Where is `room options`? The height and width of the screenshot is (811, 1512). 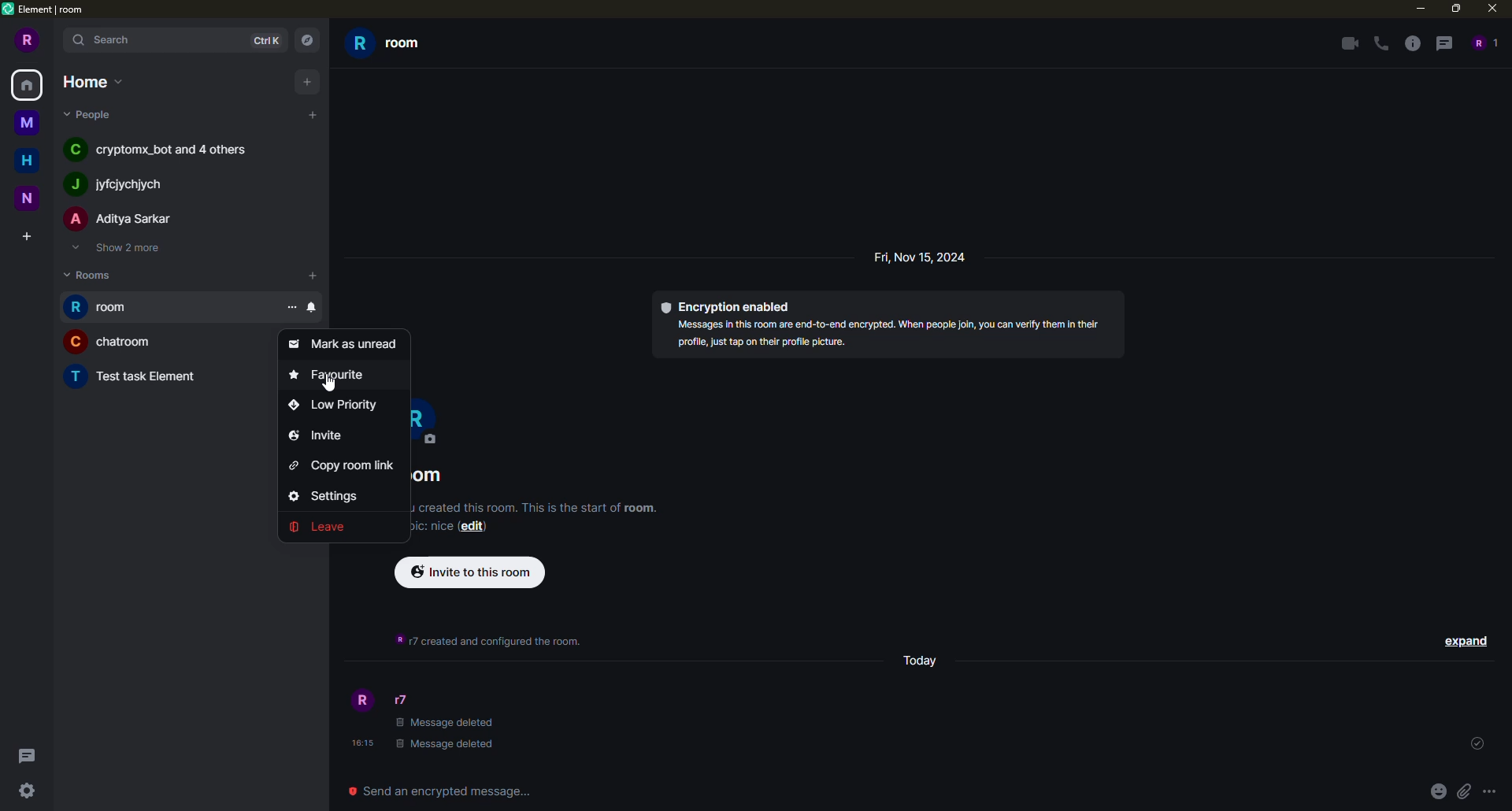
room options is located at coordinates (290, 308).